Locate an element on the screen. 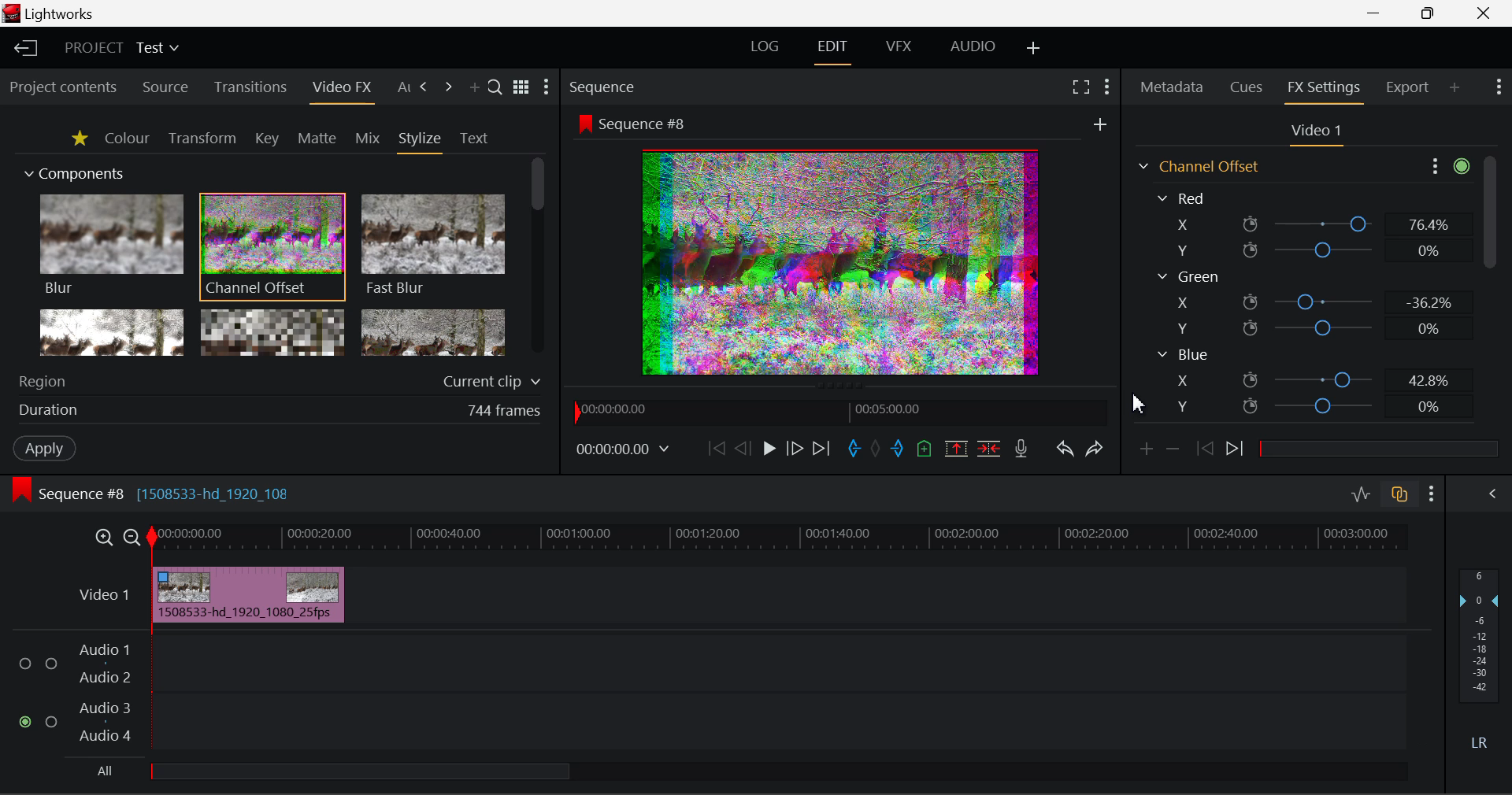 The width and height of the screenshot is (1512, 795). Matte is located at coordinates (317, 139).